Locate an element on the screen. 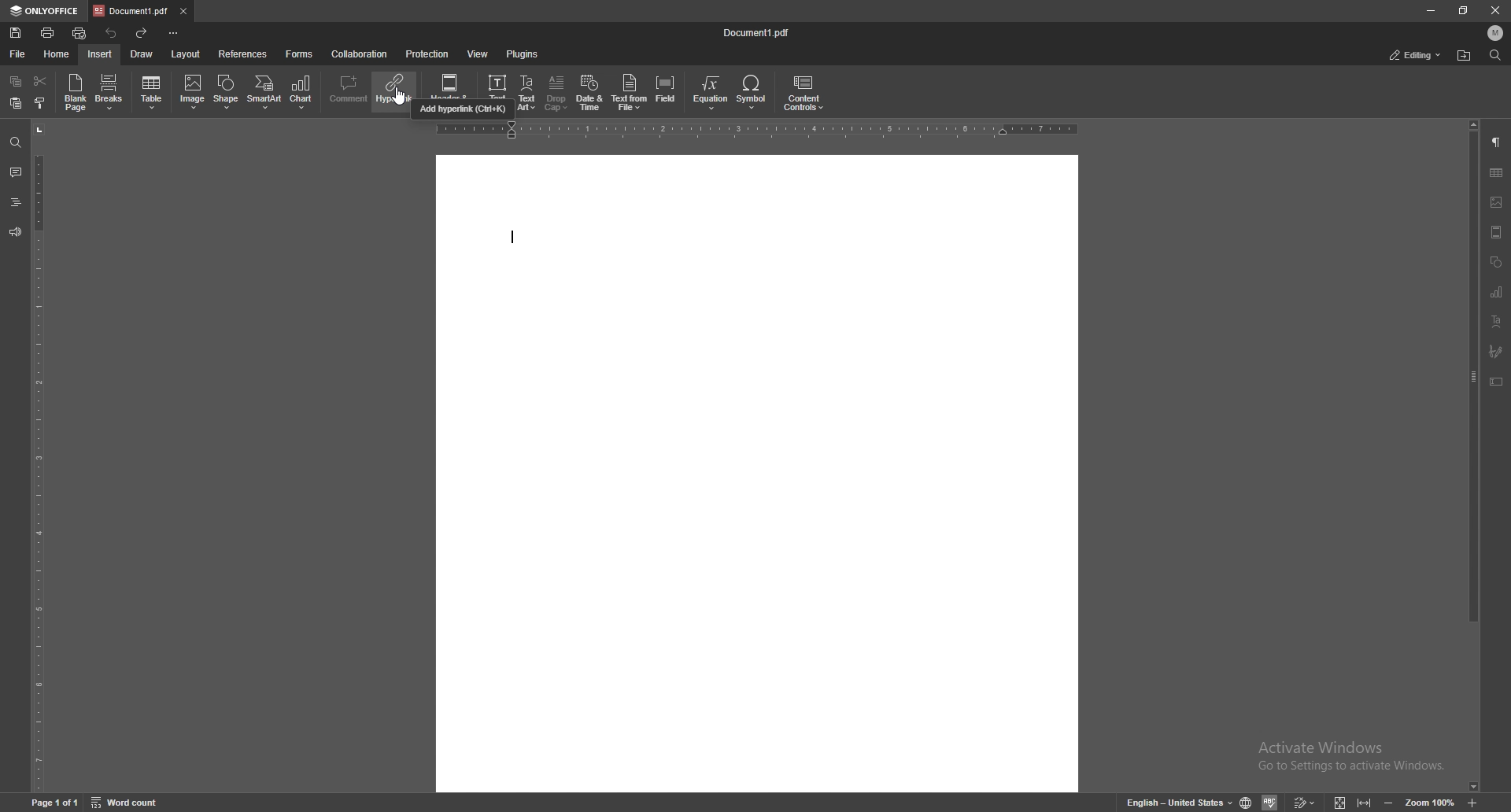 The width and height of the screenshot is (1511, 812). layout is located at coordinates (188, 54).